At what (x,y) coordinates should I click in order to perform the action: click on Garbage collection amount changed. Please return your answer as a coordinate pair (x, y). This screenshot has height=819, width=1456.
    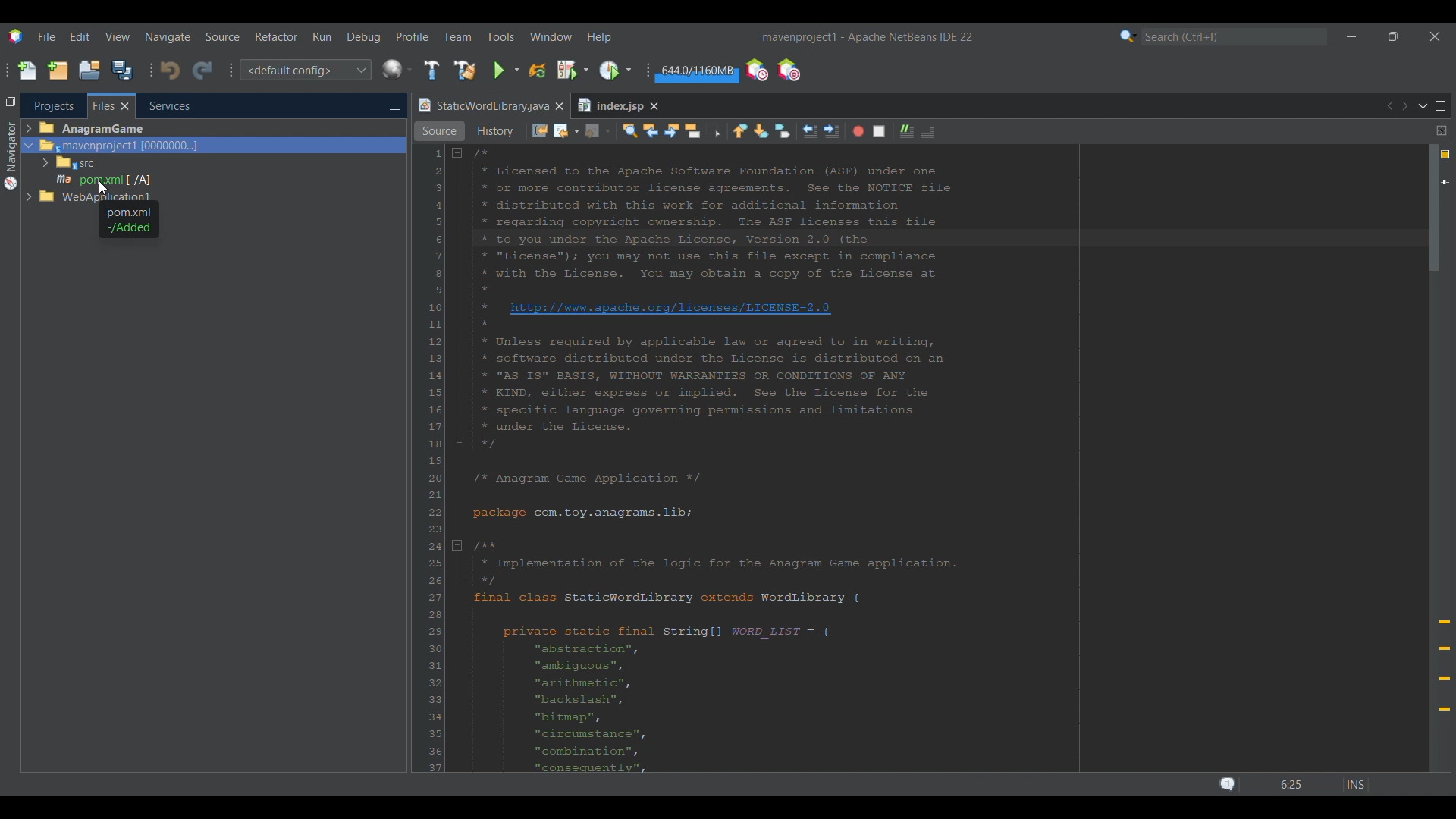
    Looking at the image, I should click on (697, 73).